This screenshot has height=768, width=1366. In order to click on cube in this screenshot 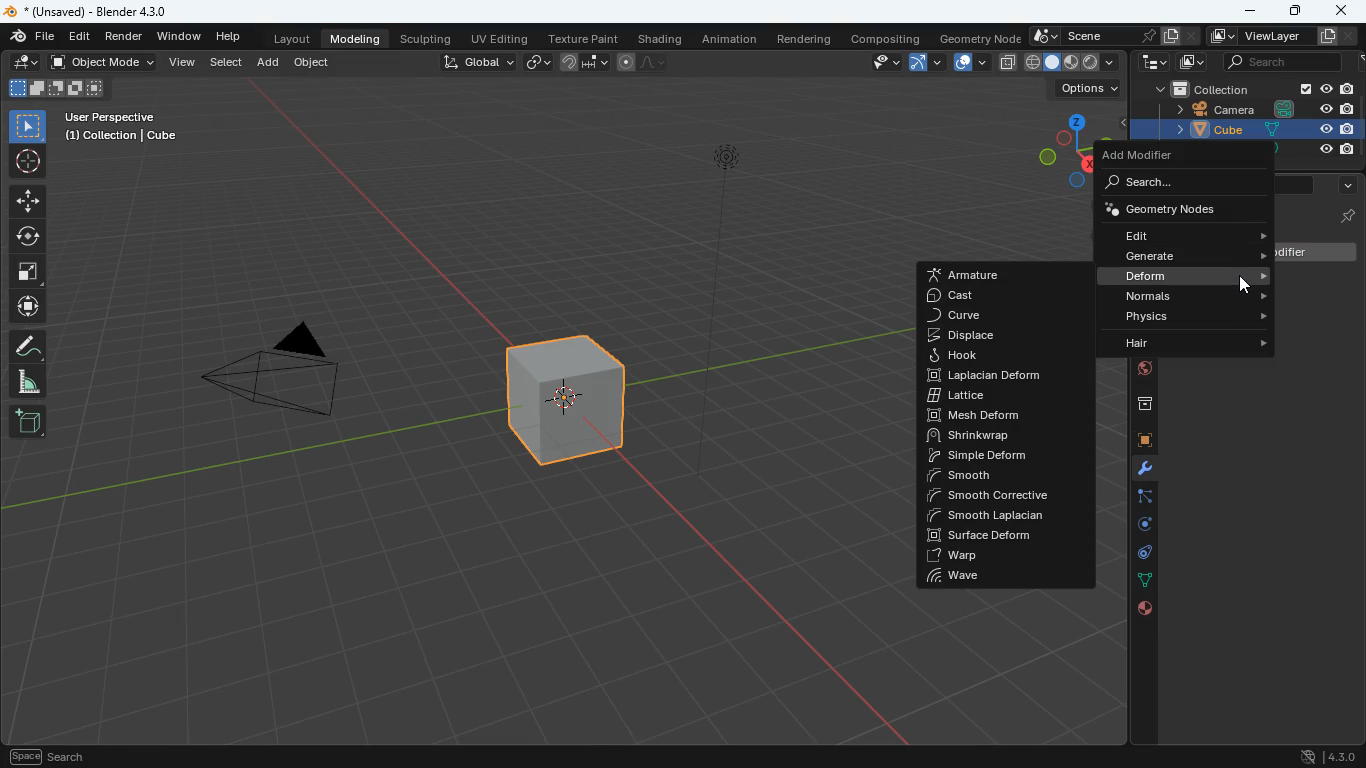, I will do `click(1259, 130)`.